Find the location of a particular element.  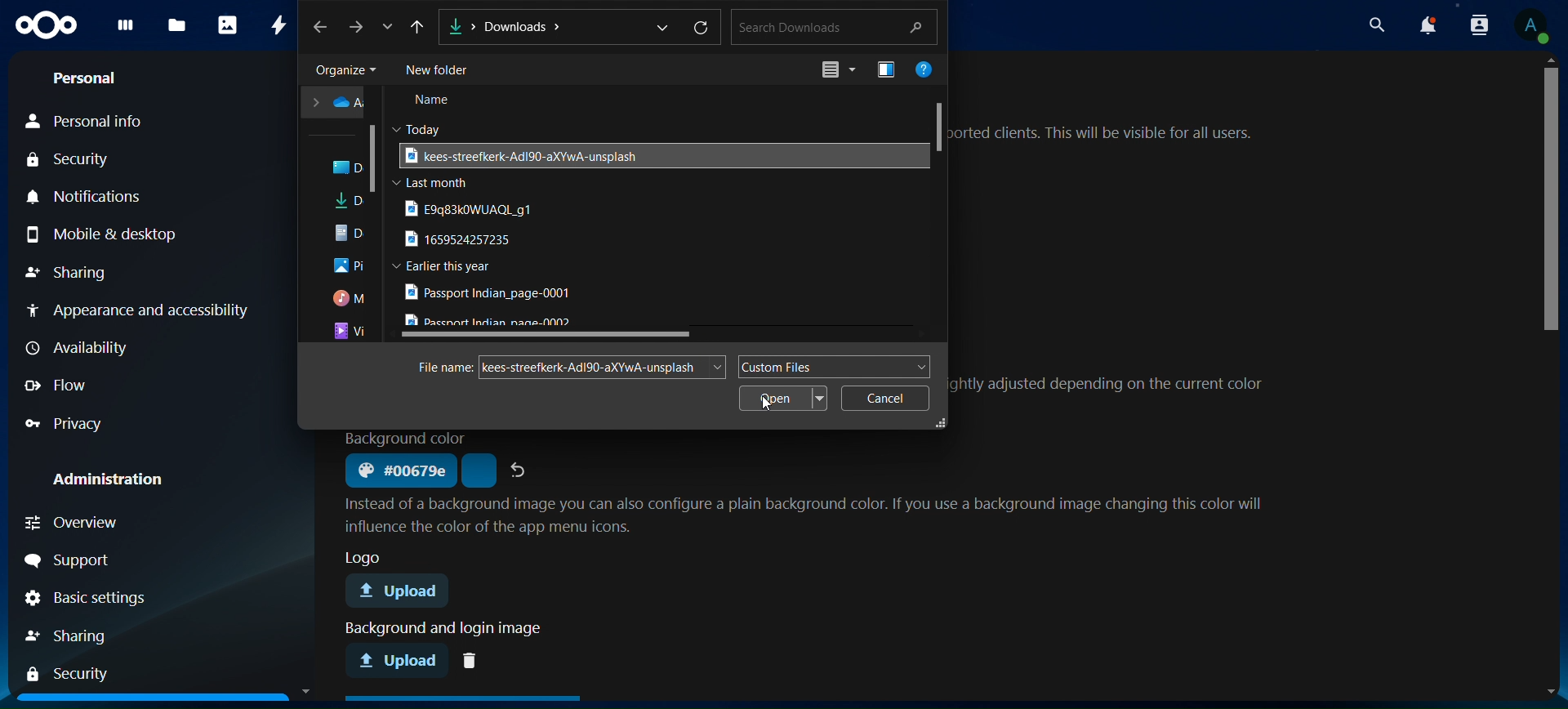

downloads is located at coordinates (351, 203).